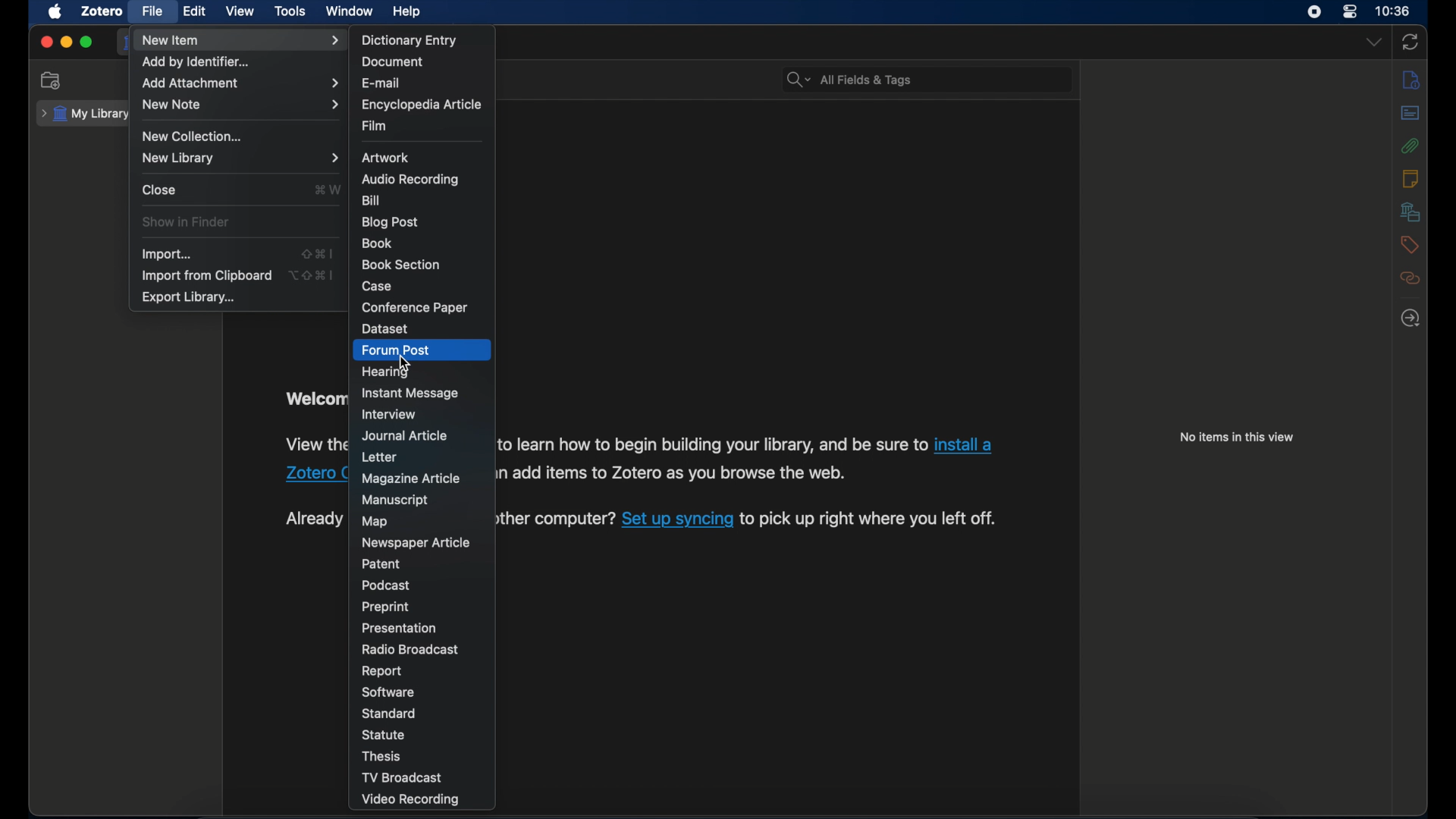 The image size is (1456, 819). I want to click on journal article, so click(406, 435).